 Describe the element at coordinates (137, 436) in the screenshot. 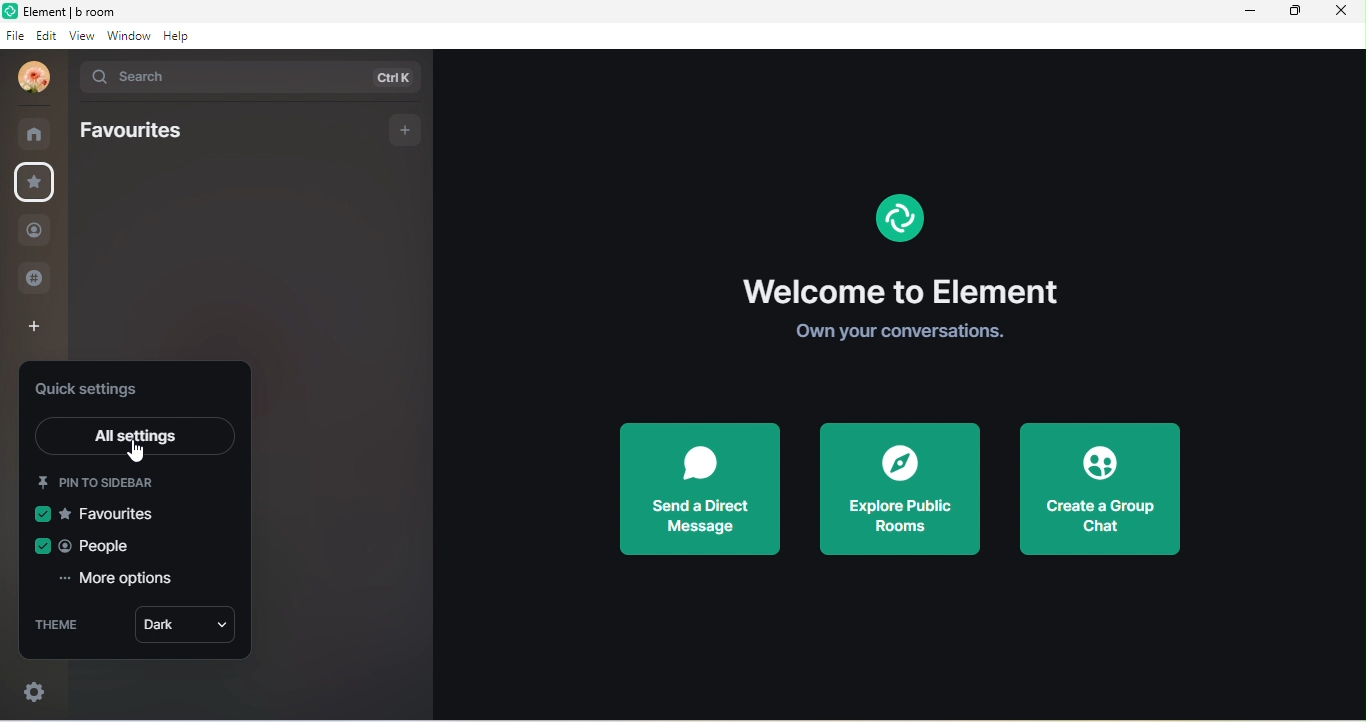

I see `all settings` at that location.